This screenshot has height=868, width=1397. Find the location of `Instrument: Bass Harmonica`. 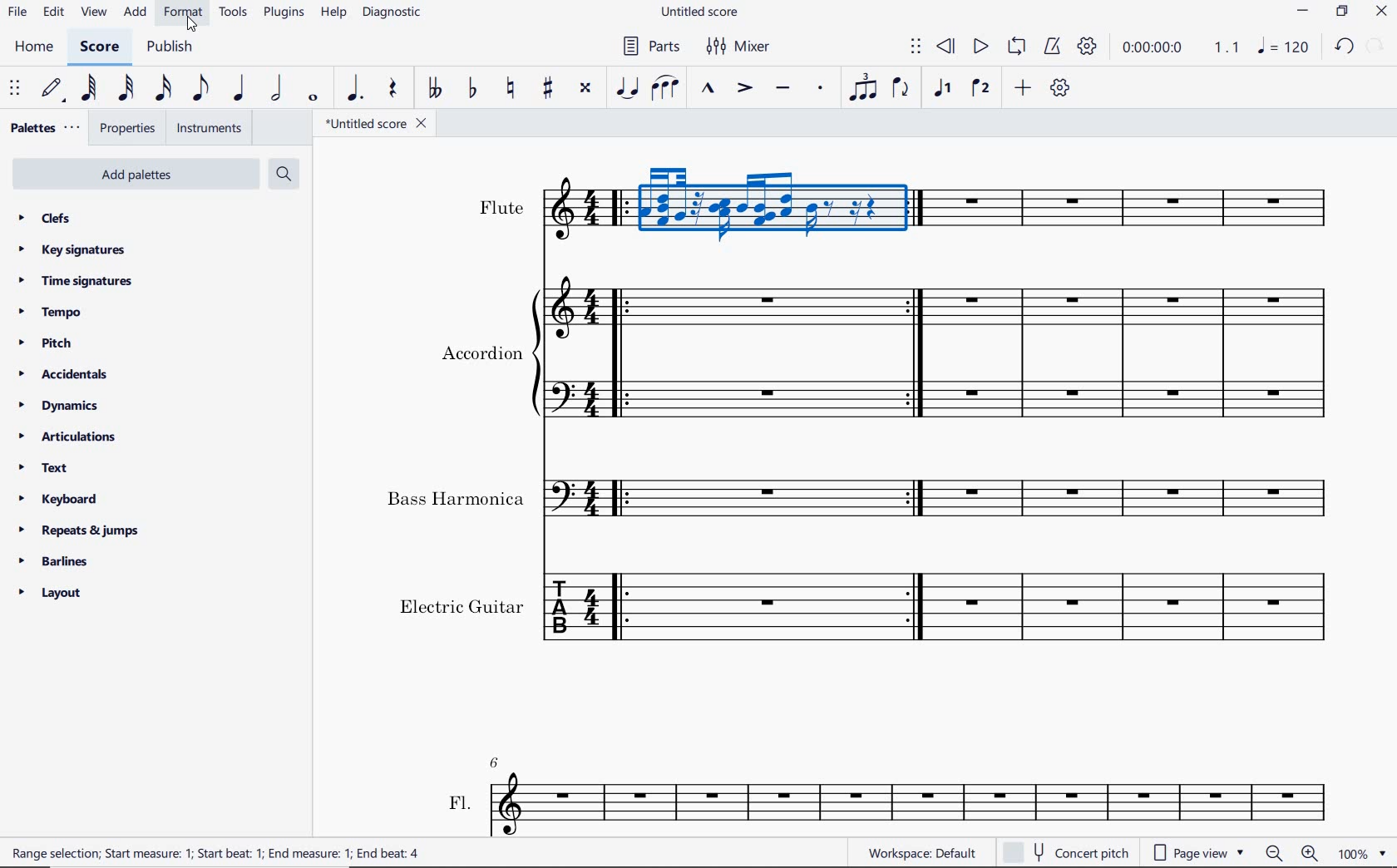

Instrument: Bass Harmonica is located at coordinates (863, 492).